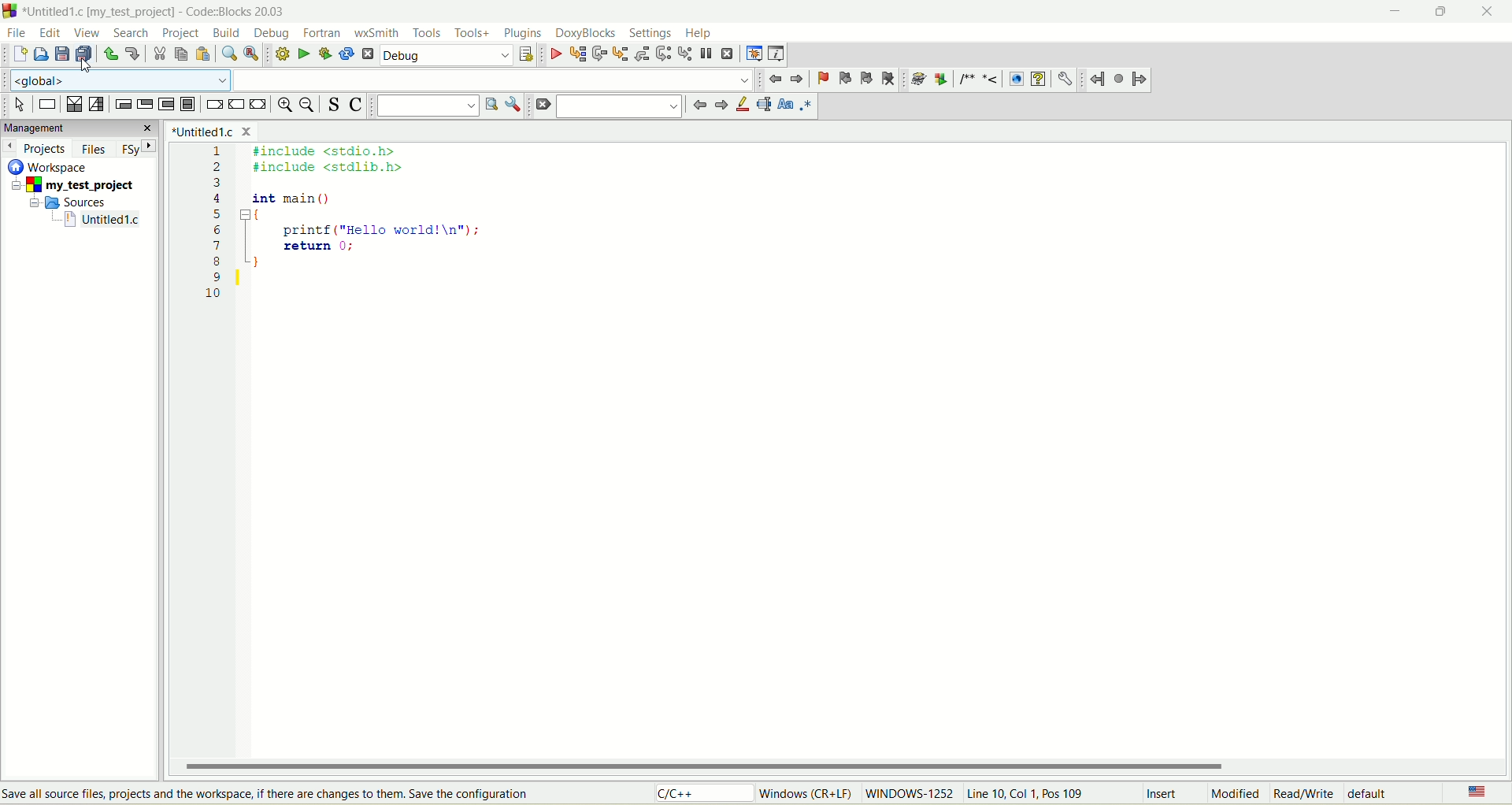 Image resolution: width=1512 pixels, height=805 pixels. What do you see at coordinates (226, 32) in the screenshot?
I see `build` at bounding box center [226, 32].